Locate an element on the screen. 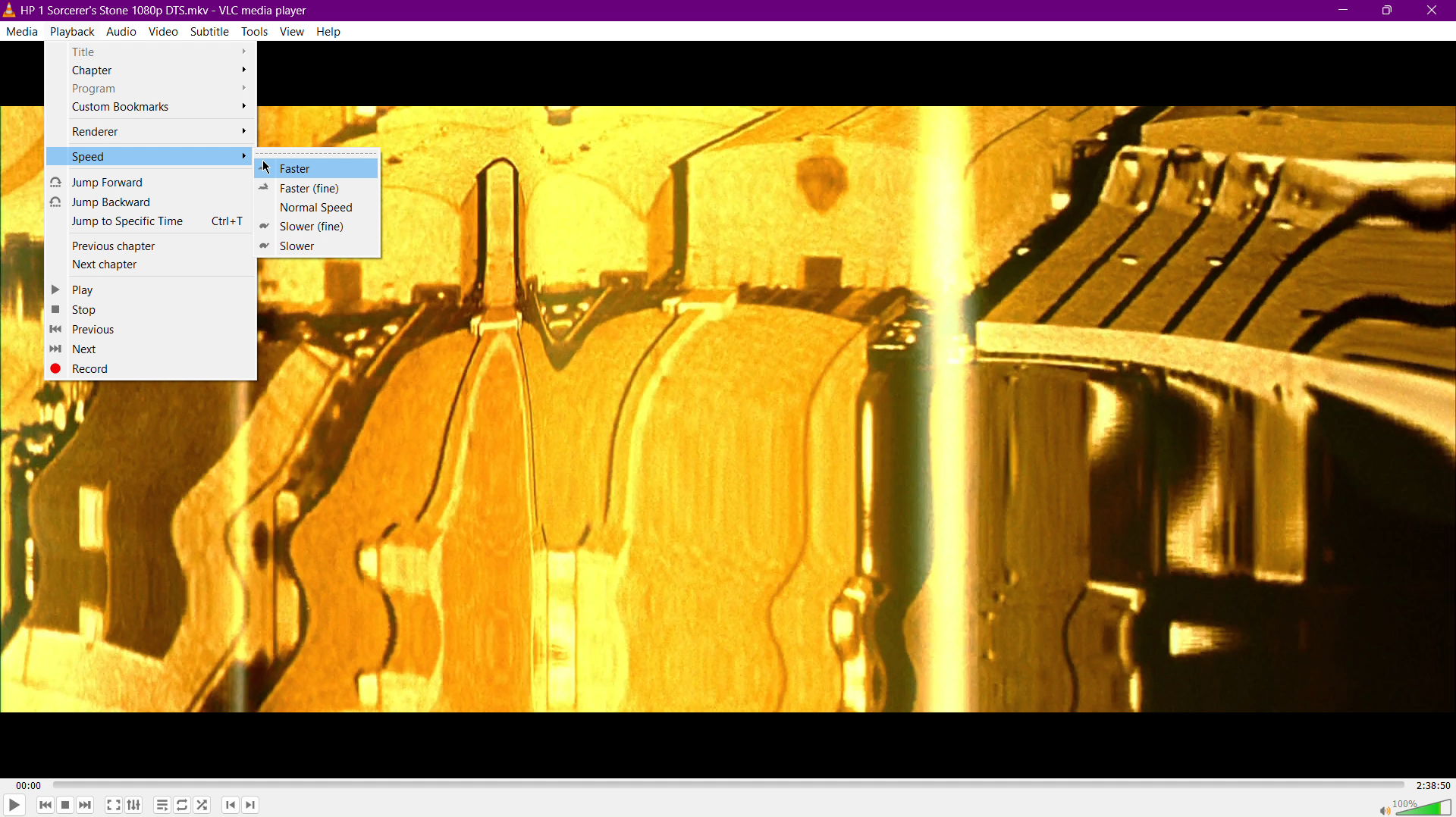 This screenshot has width=1456, height=817. Next is located at coordinates (78, 349).